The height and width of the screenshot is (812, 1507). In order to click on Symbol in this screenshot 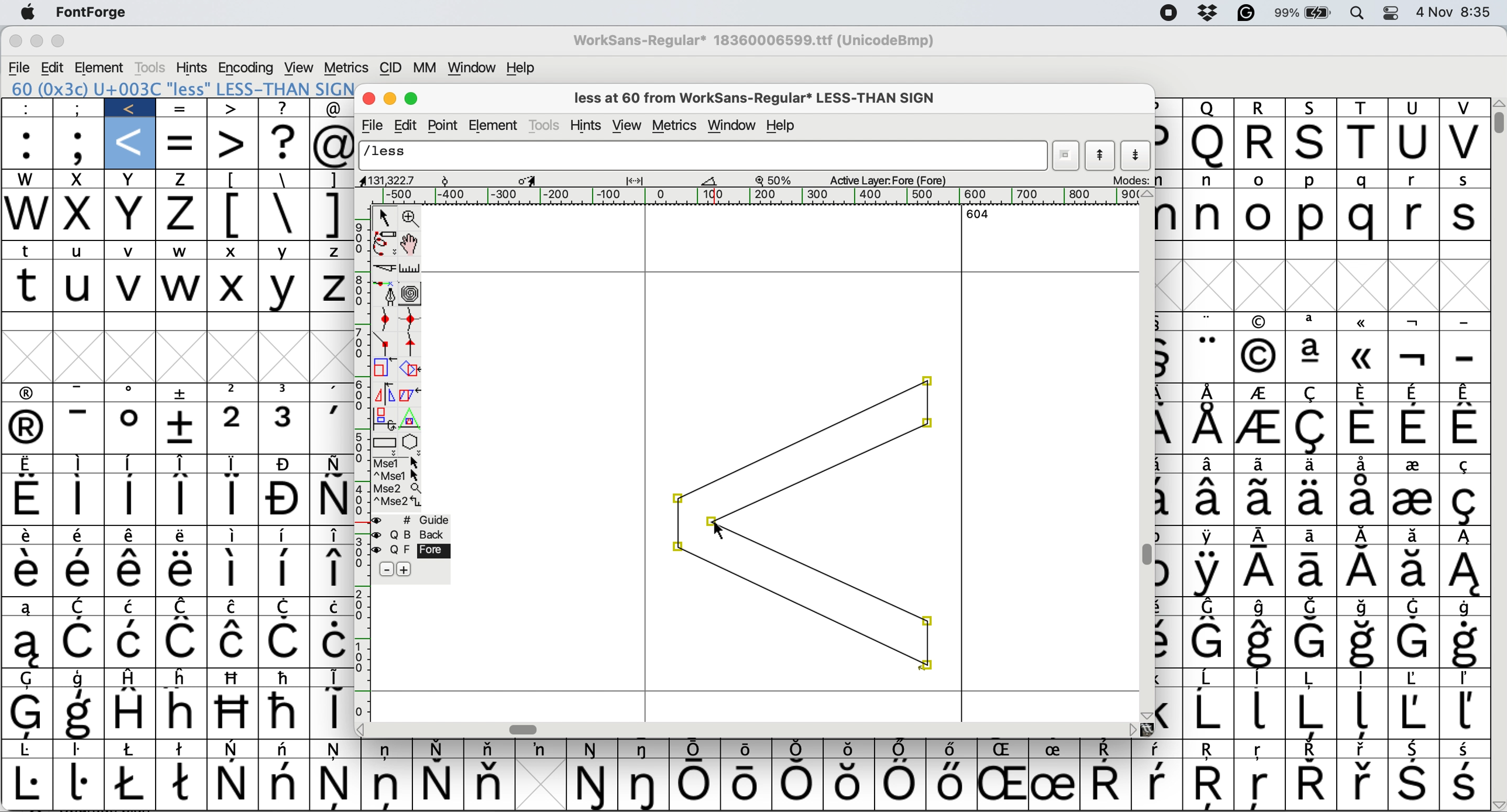, I will do `click(130, 429)`.